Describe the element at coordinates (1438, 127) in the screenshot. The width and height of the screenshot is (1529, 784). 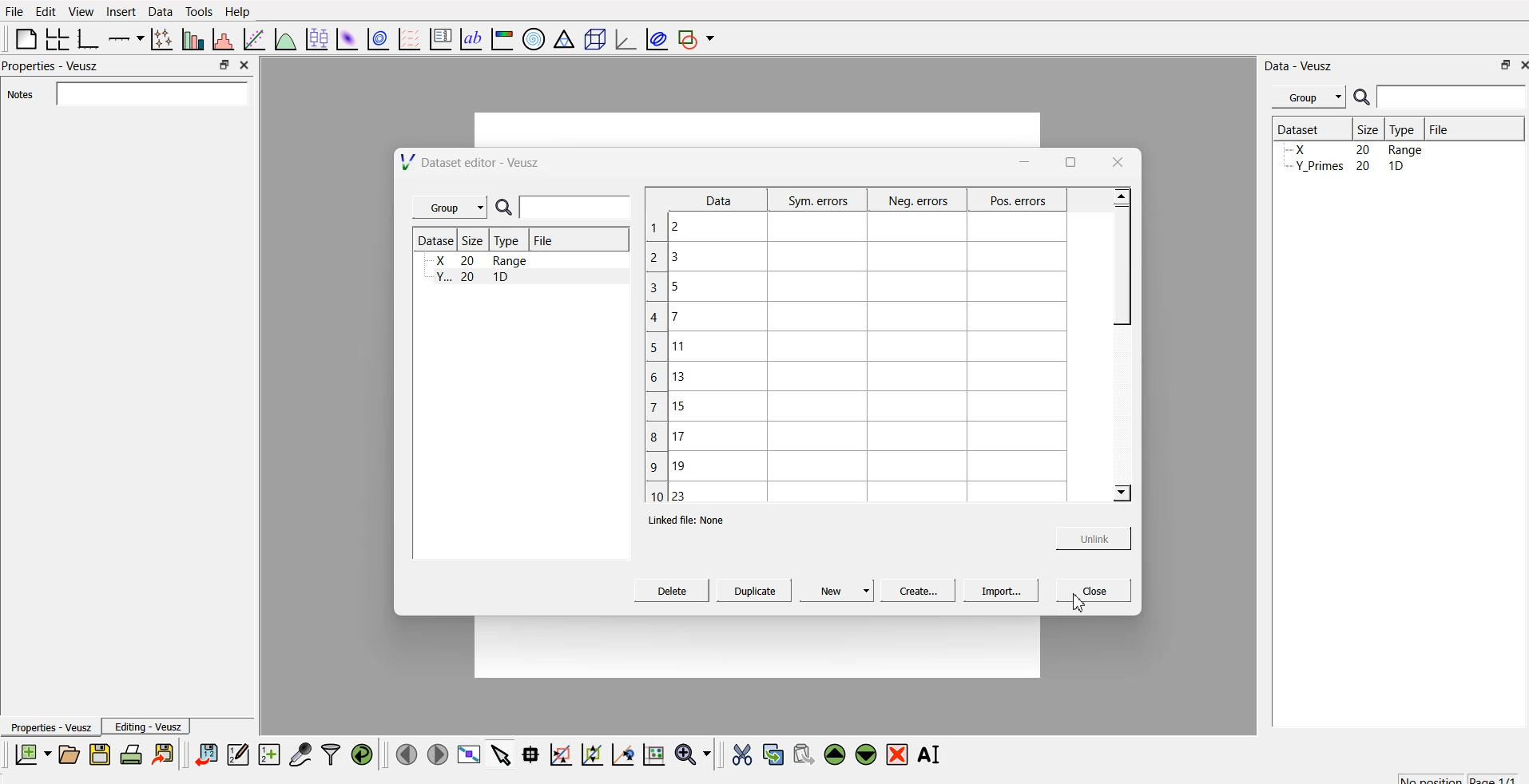
I see `File` at that location.